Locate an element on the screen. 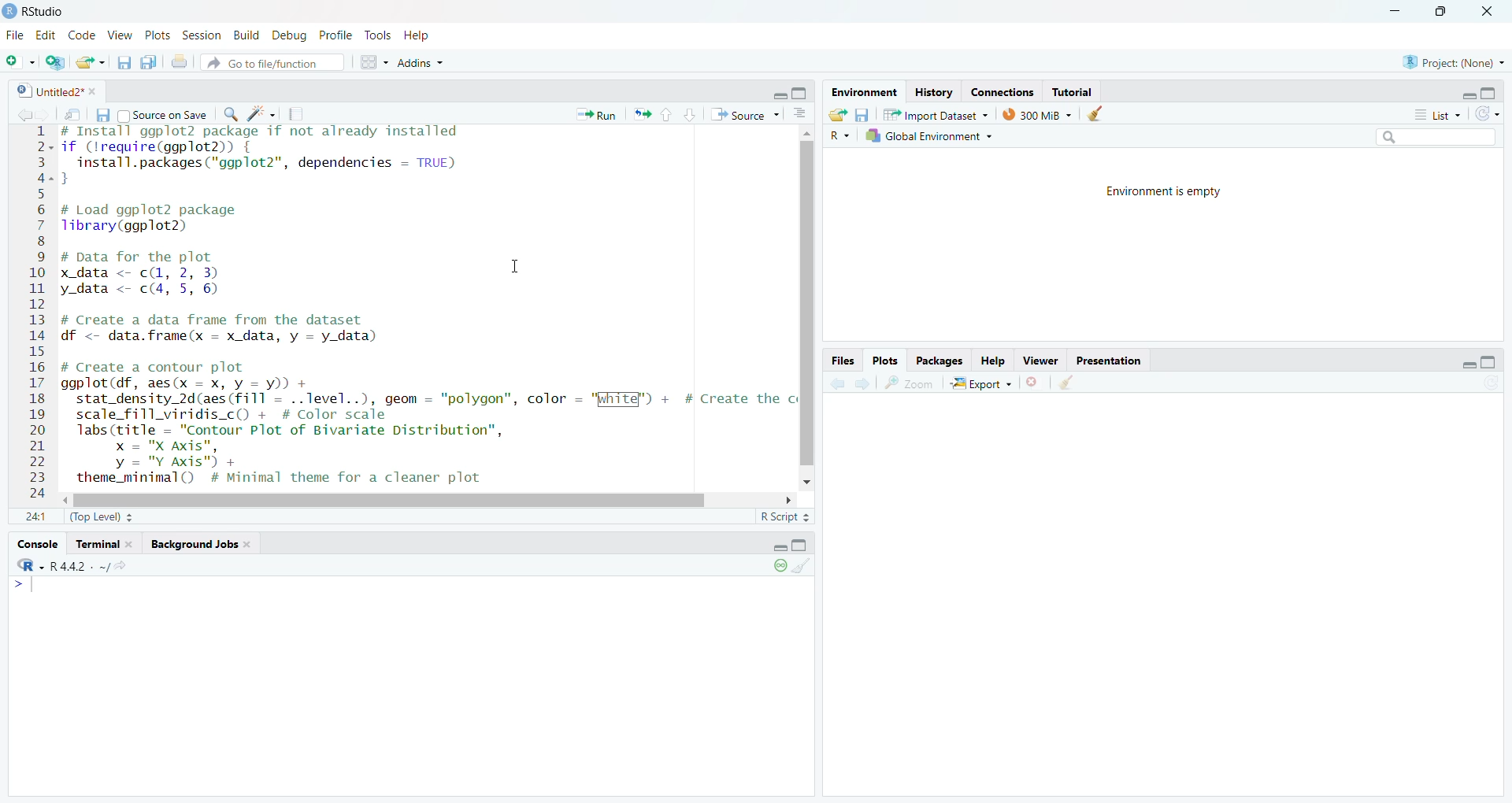  maximize is located at coordinates (1439, 13).